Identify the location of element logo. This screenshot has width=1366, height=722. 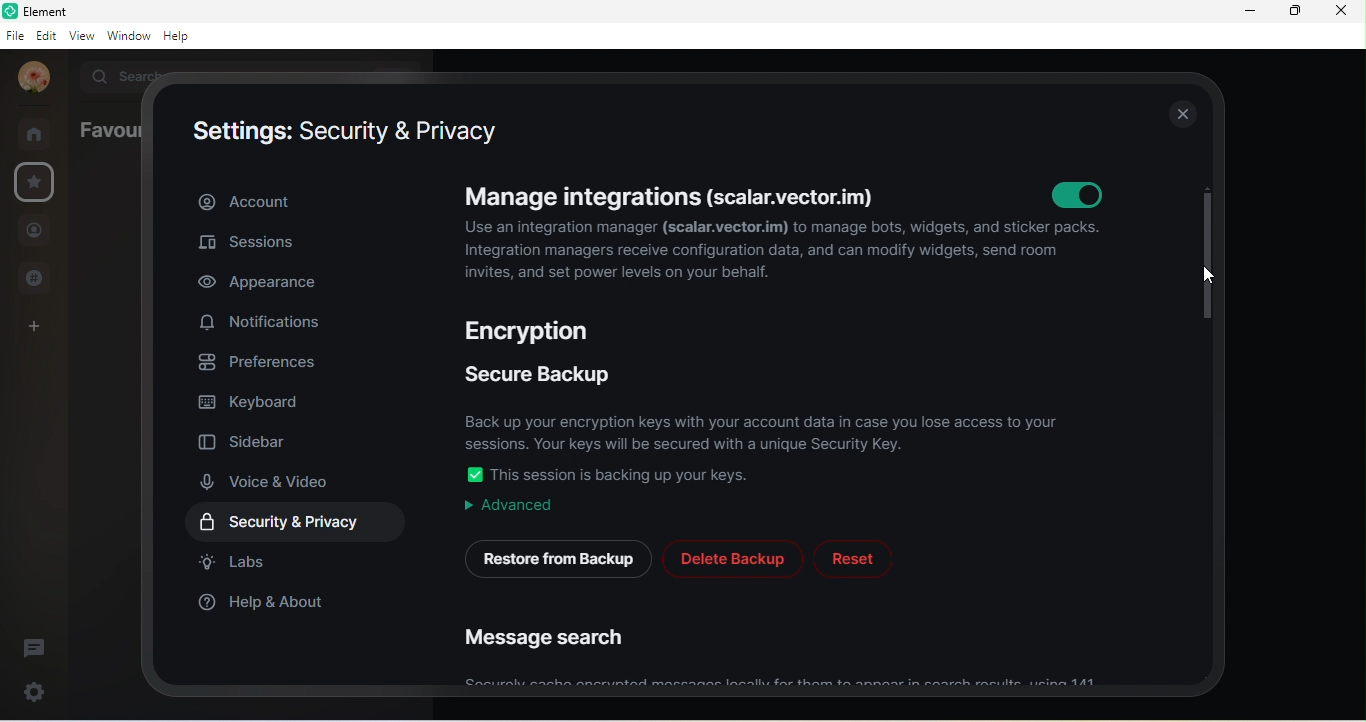
(9, 10).